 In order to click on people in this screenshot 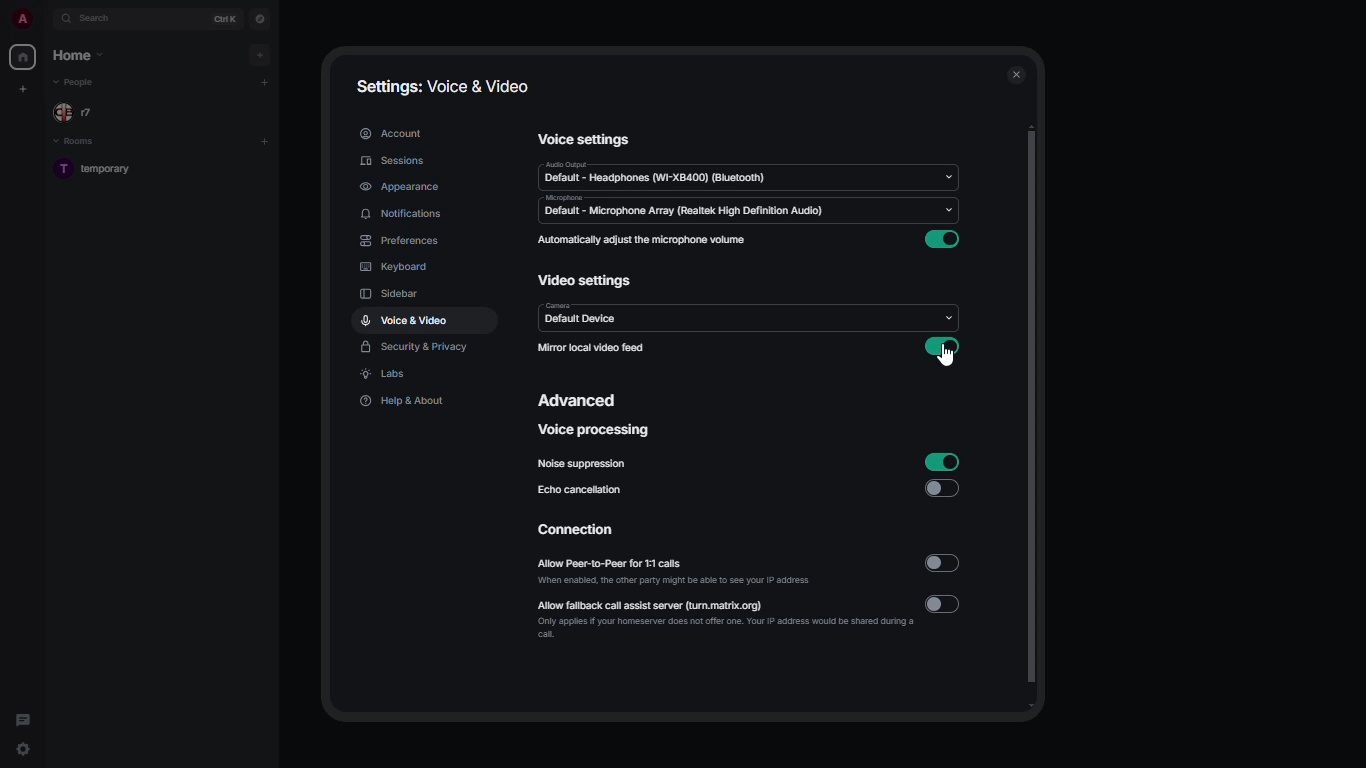, I will do `click(77, 83)`.